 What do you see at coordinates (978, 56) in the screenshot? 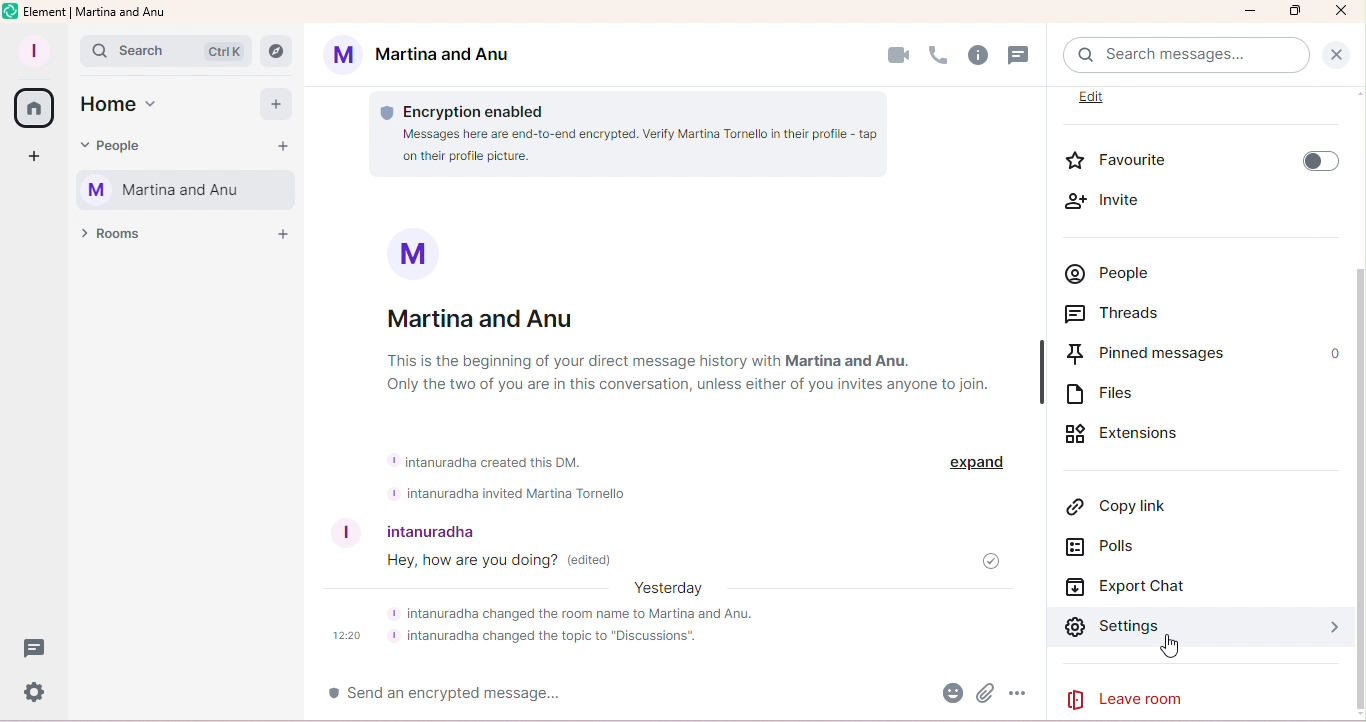
I see `Info` at bounding box center [978, 56].